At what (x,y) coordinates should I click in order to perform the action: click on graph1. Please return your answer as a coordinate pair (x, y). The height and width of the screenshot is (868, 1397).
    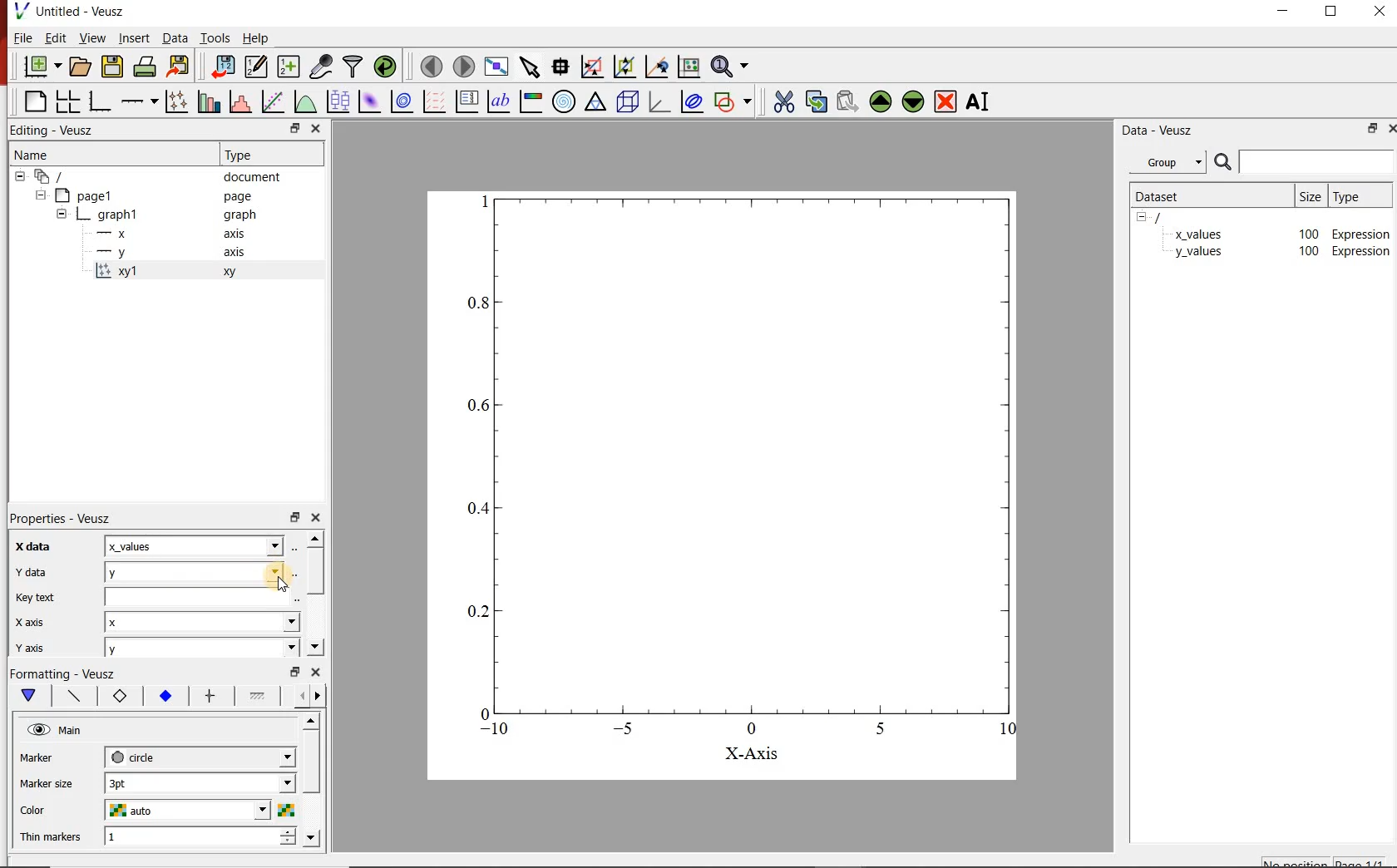
    Looking at the image, I should click on (120, 214).